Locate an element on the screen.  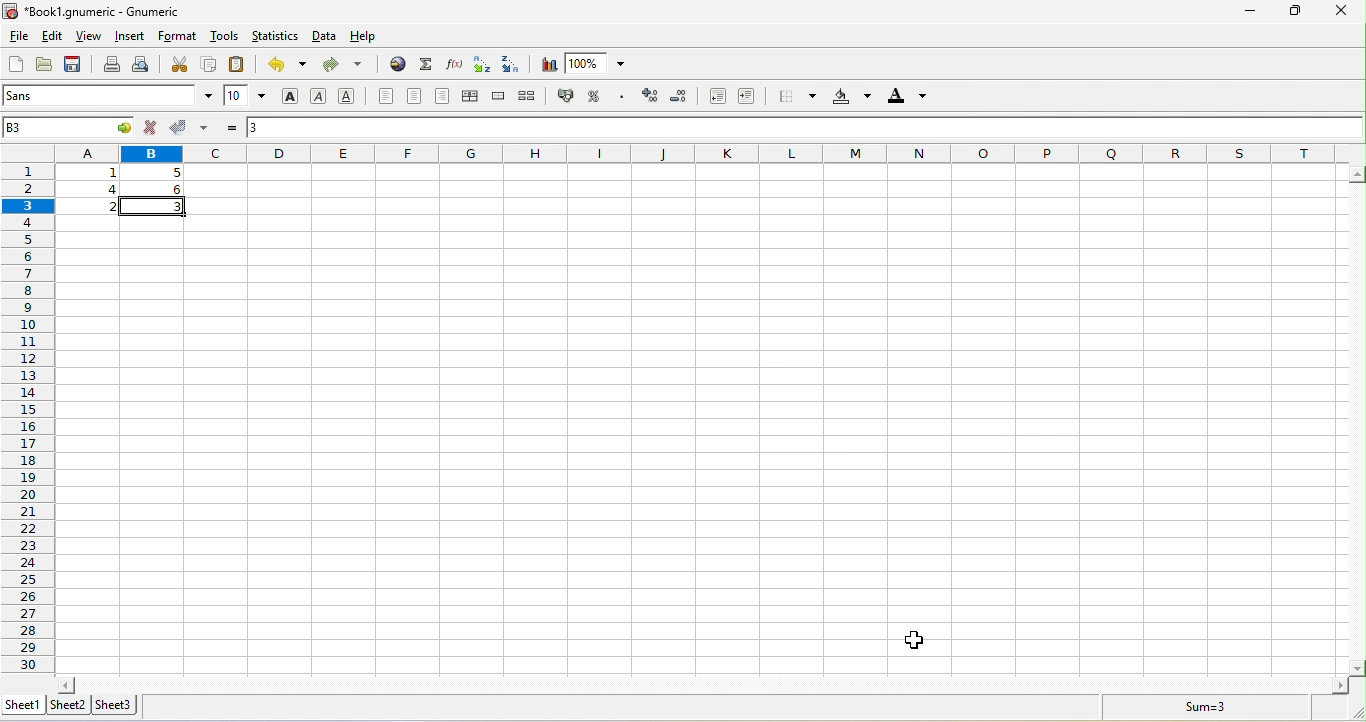
sum is located at coordinates (426, 64).